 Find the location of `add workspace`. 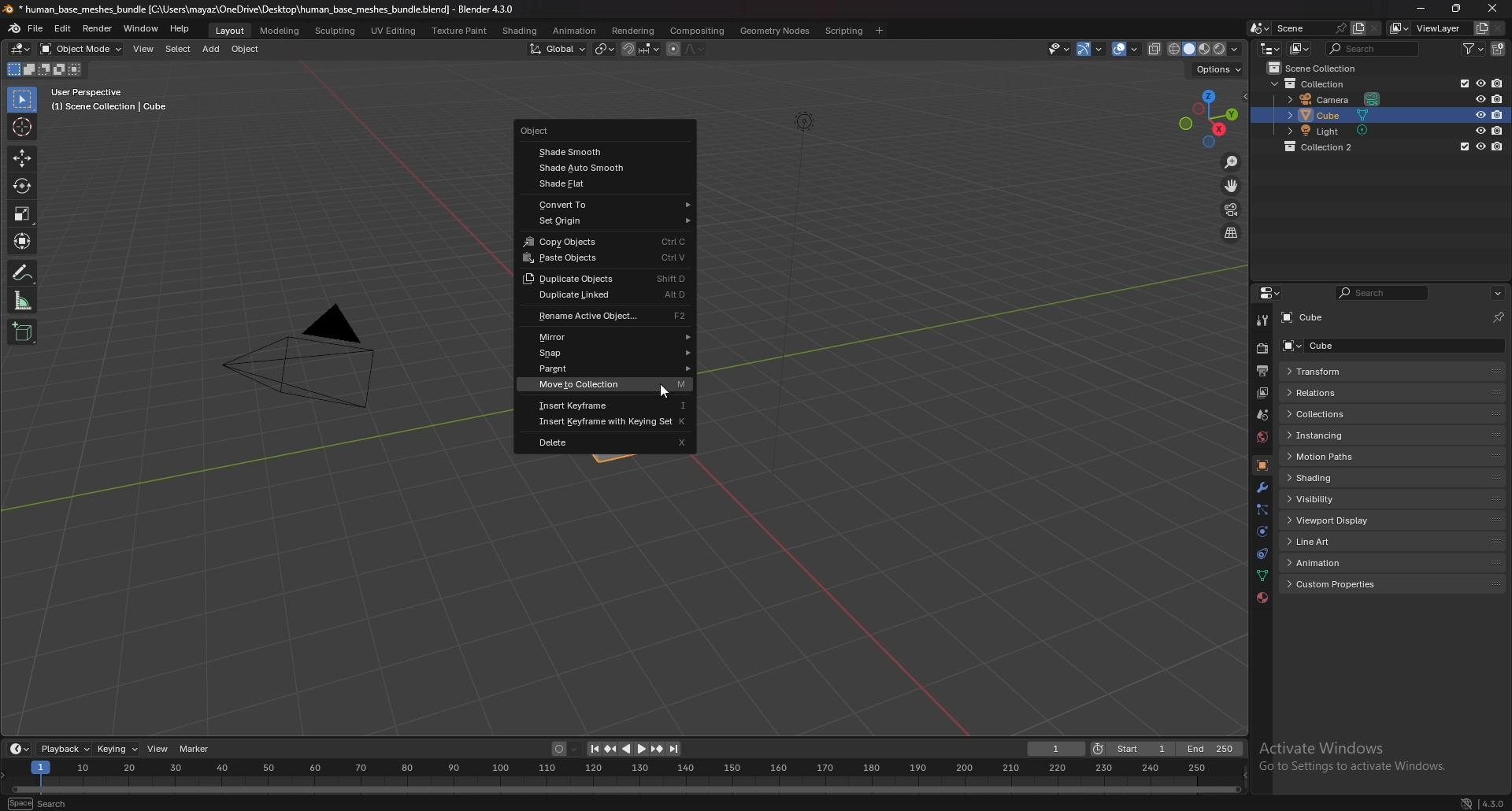

add workspace is located at coordinates (877, 31).